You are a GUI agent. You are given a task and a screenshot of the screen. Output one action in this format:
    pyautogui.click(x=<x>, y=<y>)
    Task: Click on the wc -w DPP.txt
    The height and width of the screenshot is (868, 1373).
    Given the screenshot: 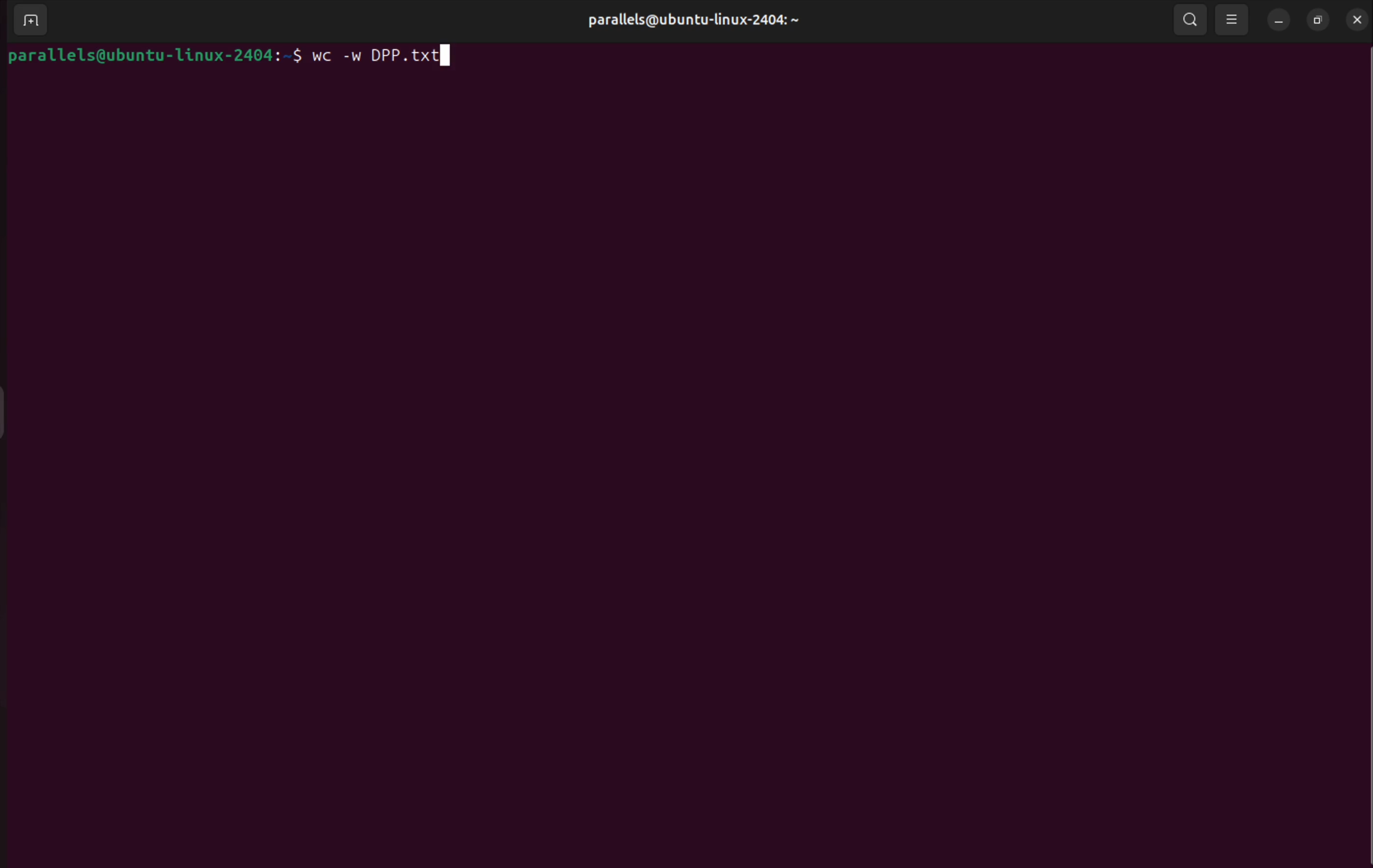 What is the action you would take?
    pyautogui.click(x=390, y=57)
    